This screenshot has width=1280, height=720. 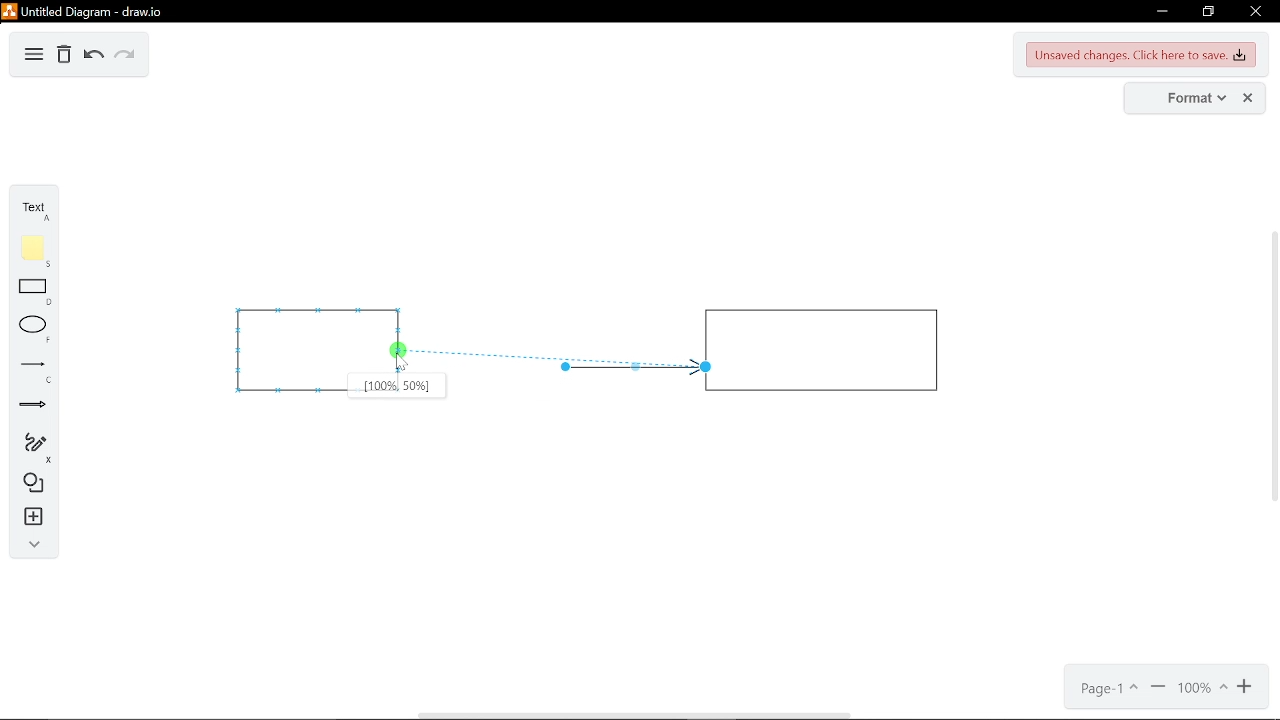 I want to click on rectangle, so click(x=31, y=295).